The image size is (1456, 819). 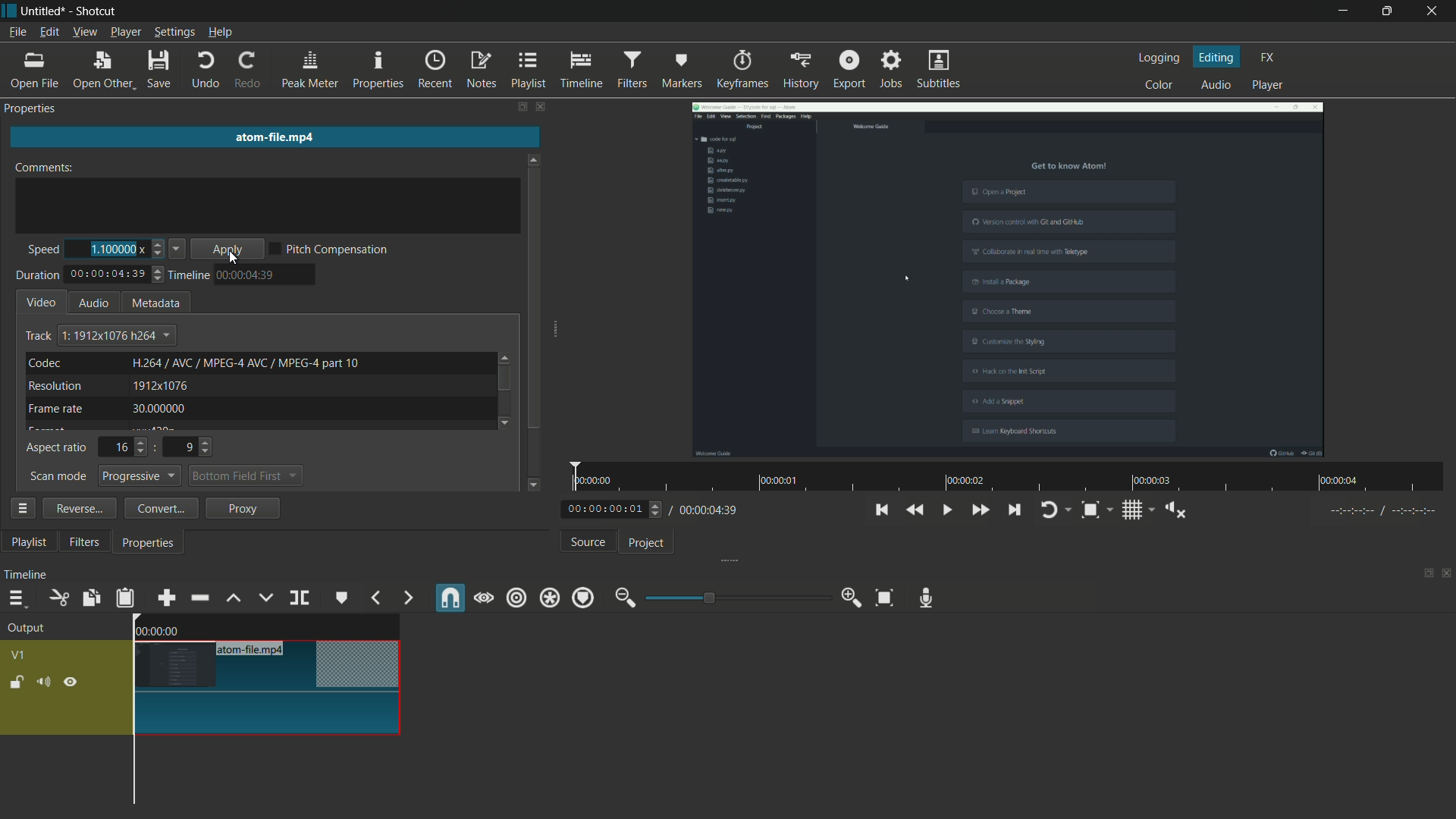 I want to click on timeline, so click(x=190, y=275).